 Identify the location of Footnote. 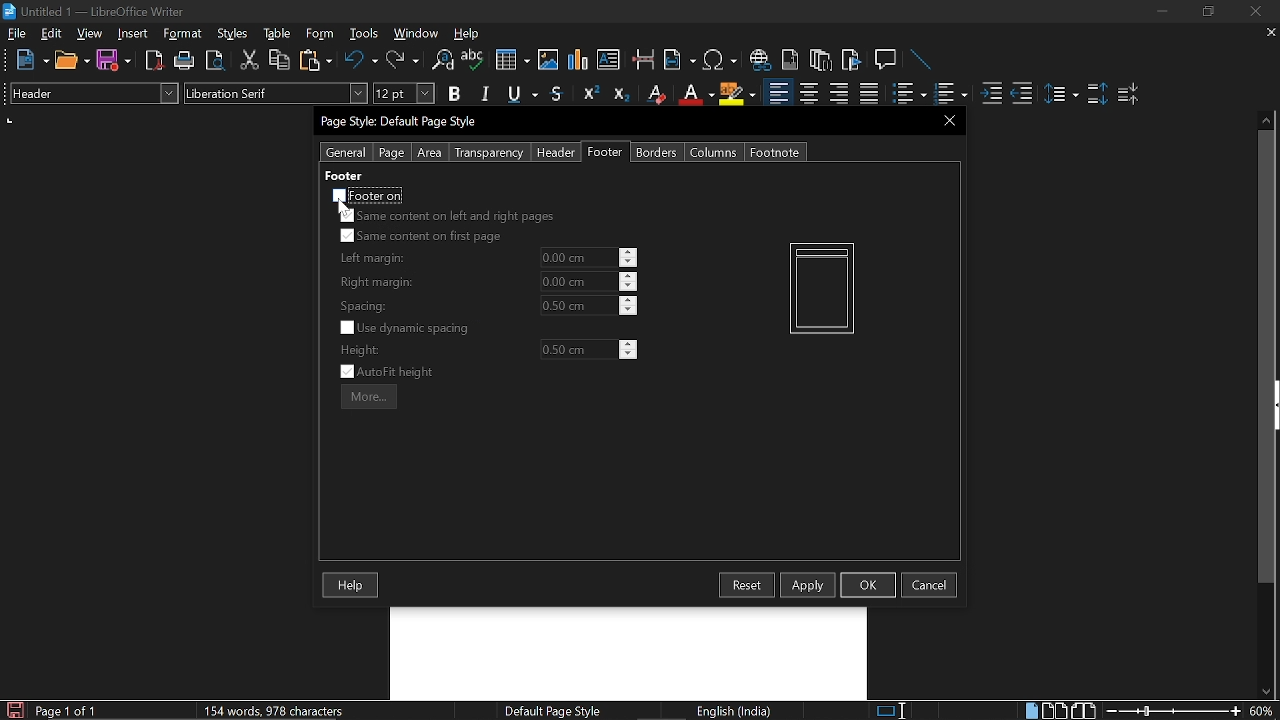
(774, 152).